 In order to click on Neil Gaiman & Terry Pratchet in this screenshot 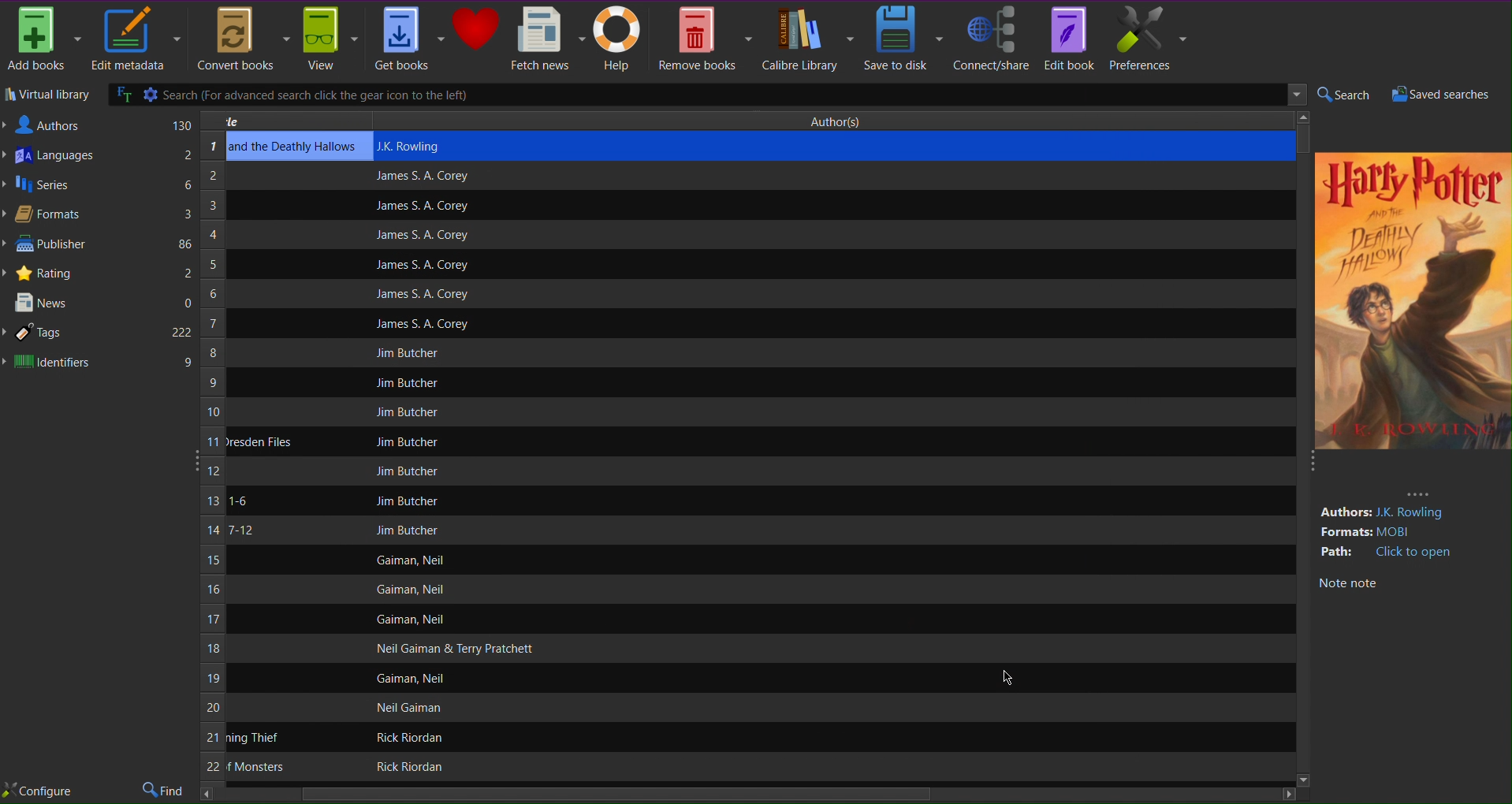, I will do `click(452, 649)`.